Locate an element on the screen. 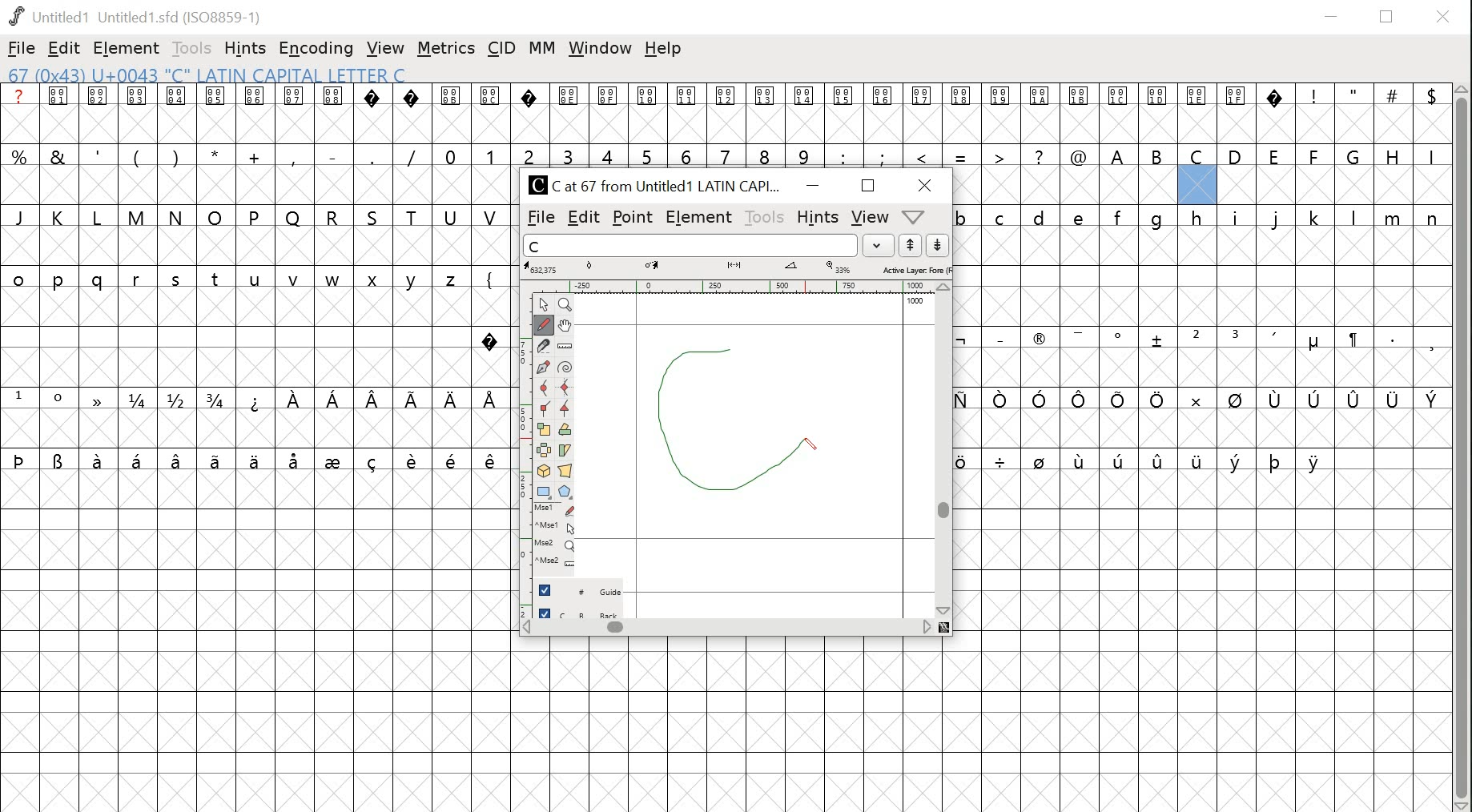  point is located at coordinates (633, 215).